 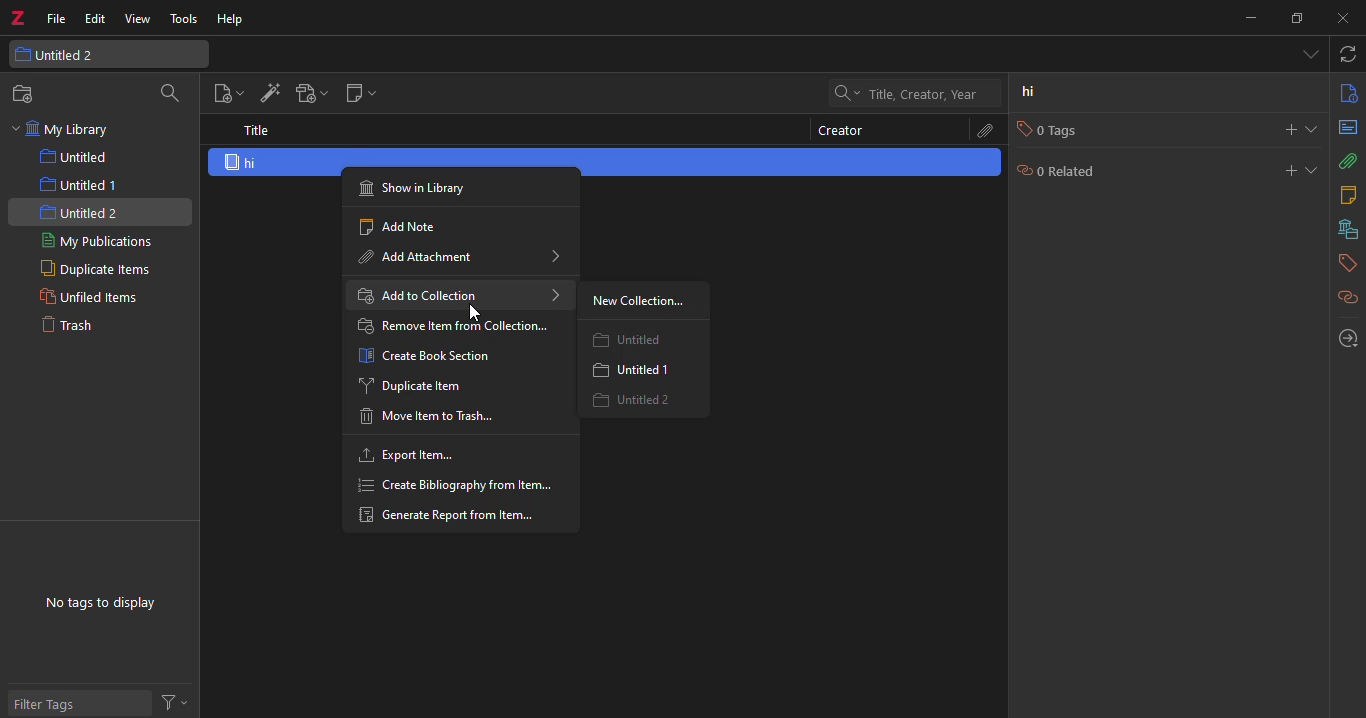 What do you see at coordinates (79, 183) in the screenshot?
I see `untitled 1` at bounding box center [79, 183].